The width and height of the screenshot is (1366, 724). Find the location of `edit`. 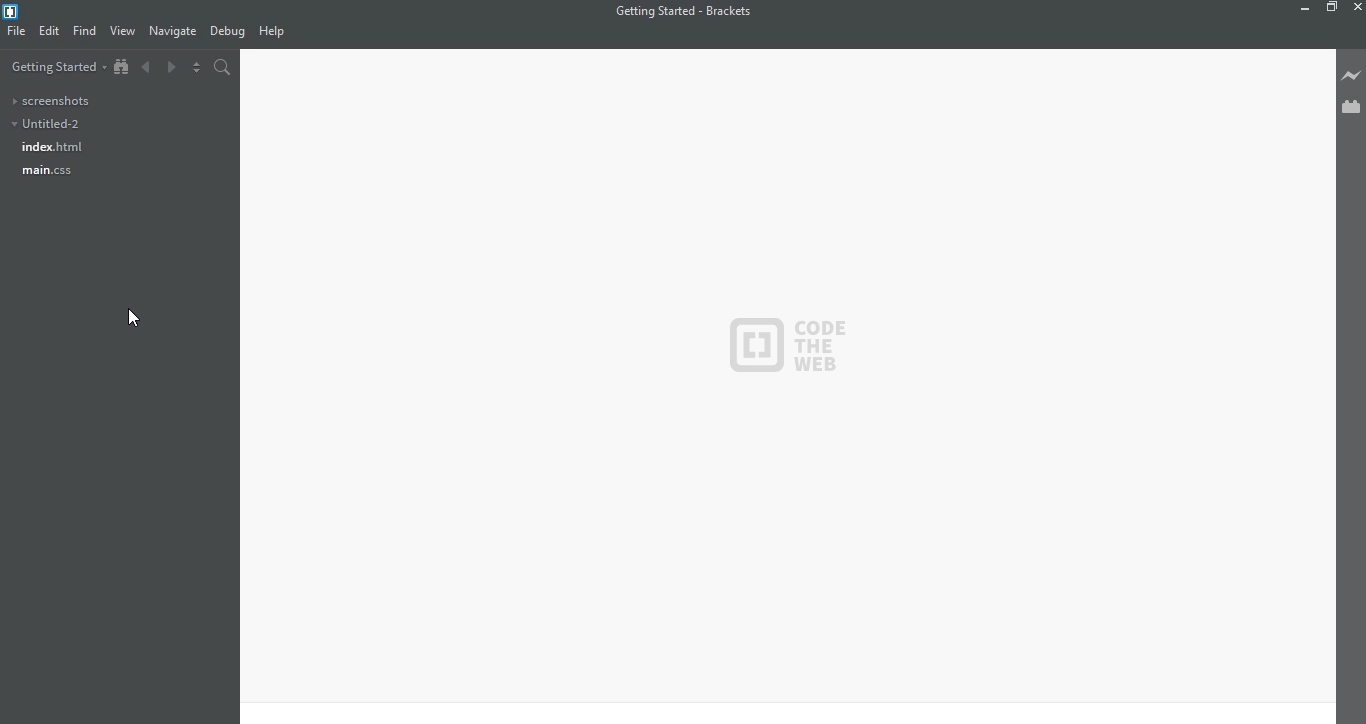

edit is located at coordinates (52, 32).